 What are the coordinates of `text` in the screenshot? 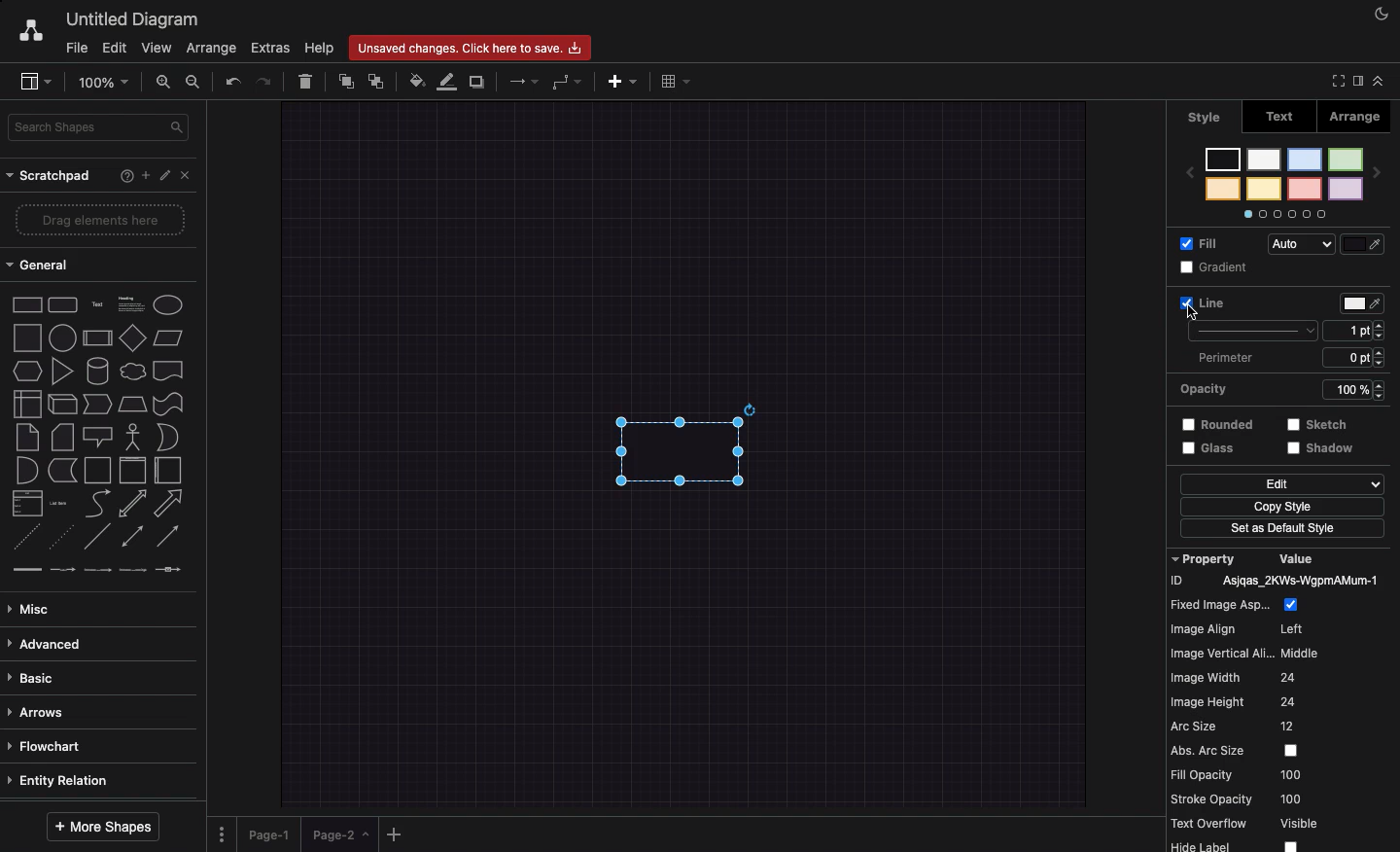 It's located at (96, 303).